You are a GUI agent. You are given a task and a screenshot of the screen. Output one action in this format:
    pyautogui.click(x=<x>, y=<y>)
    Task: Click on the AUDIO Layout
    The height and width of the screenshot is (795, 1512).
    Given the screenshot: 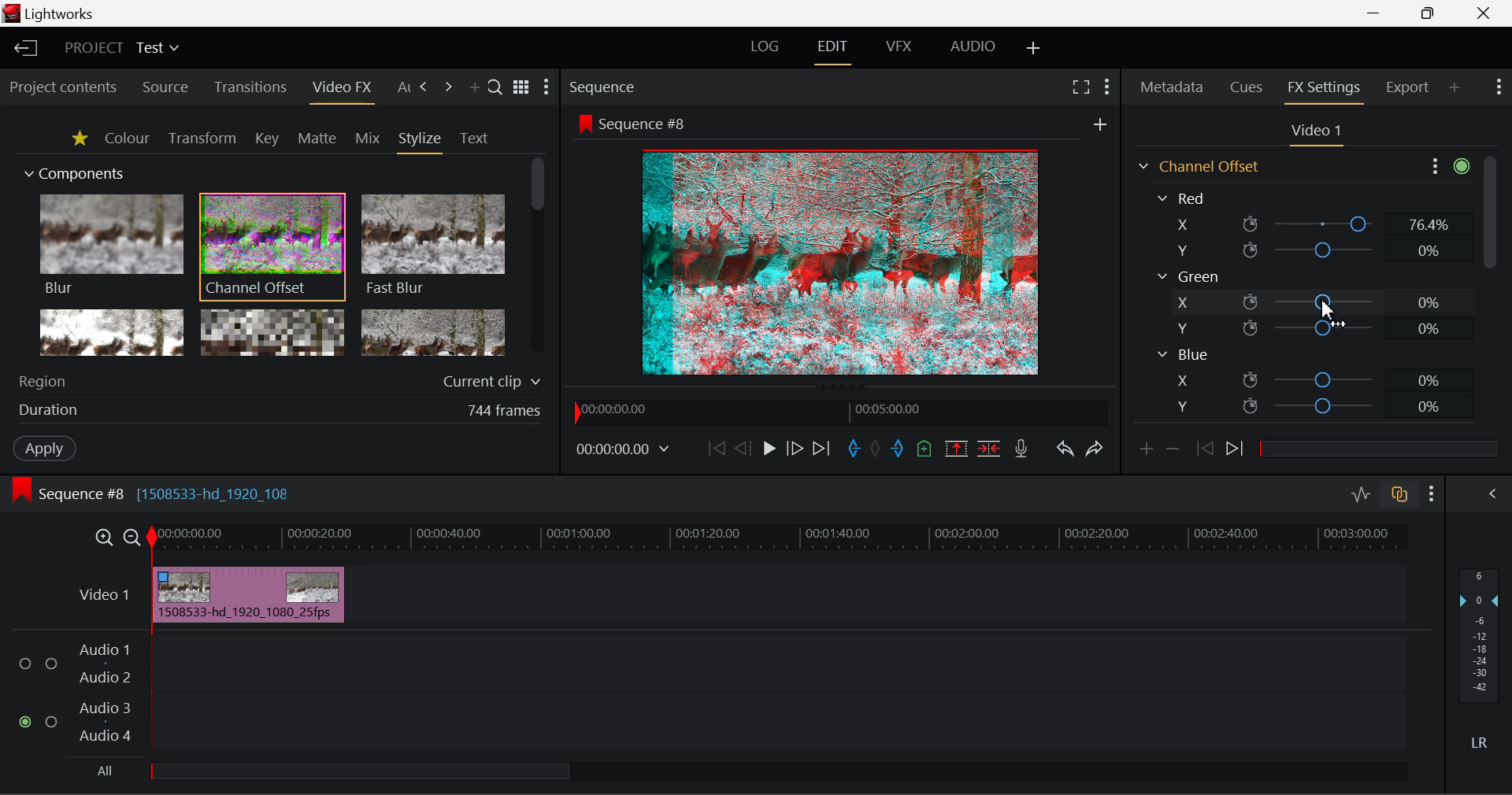 What is the action you would take?
    pyautogui.click(x=975, y=50)
    